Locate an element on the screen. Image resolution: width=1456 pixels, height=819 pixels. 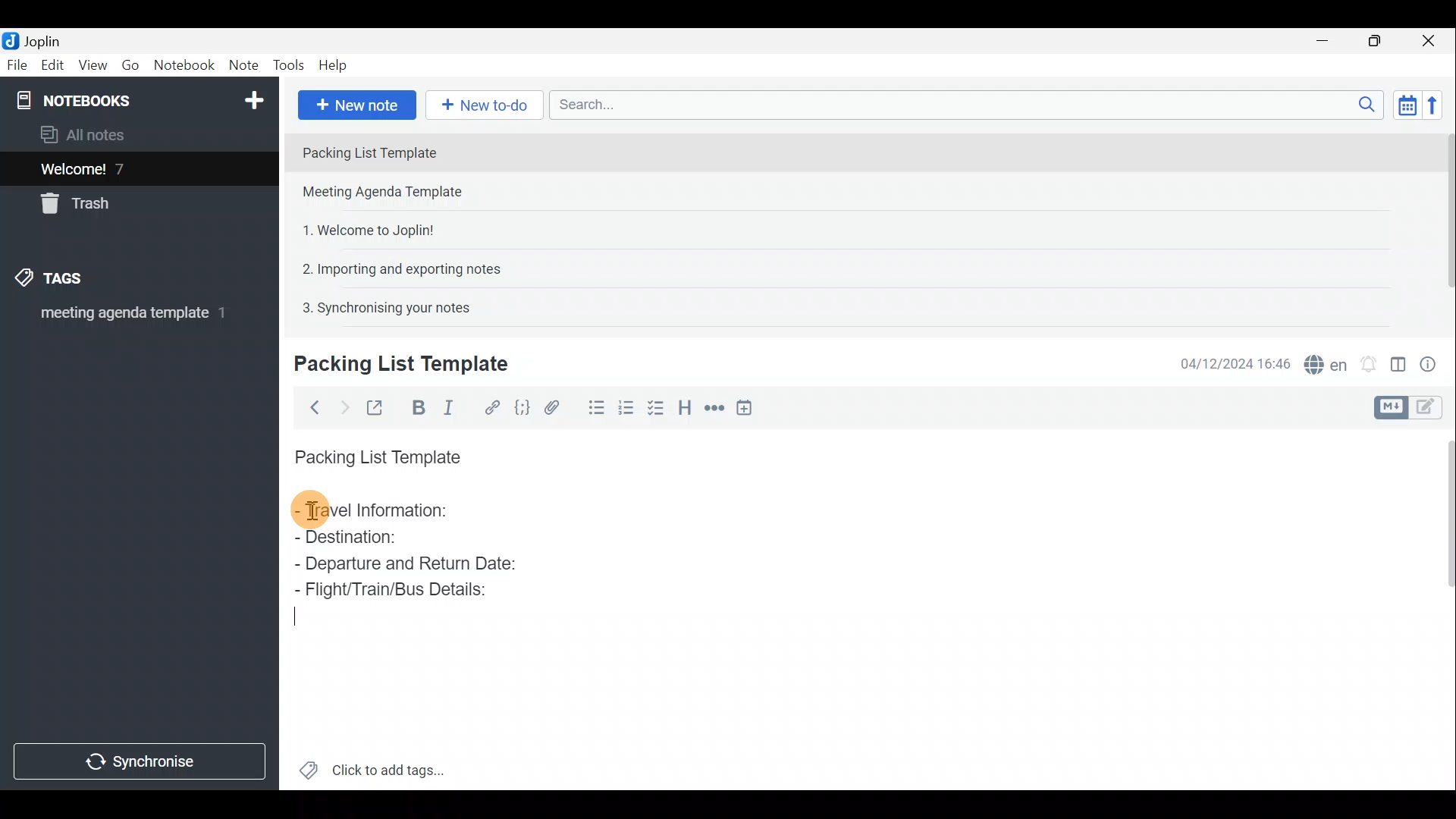
Scroll bar is located at coordinates (1442, 221).